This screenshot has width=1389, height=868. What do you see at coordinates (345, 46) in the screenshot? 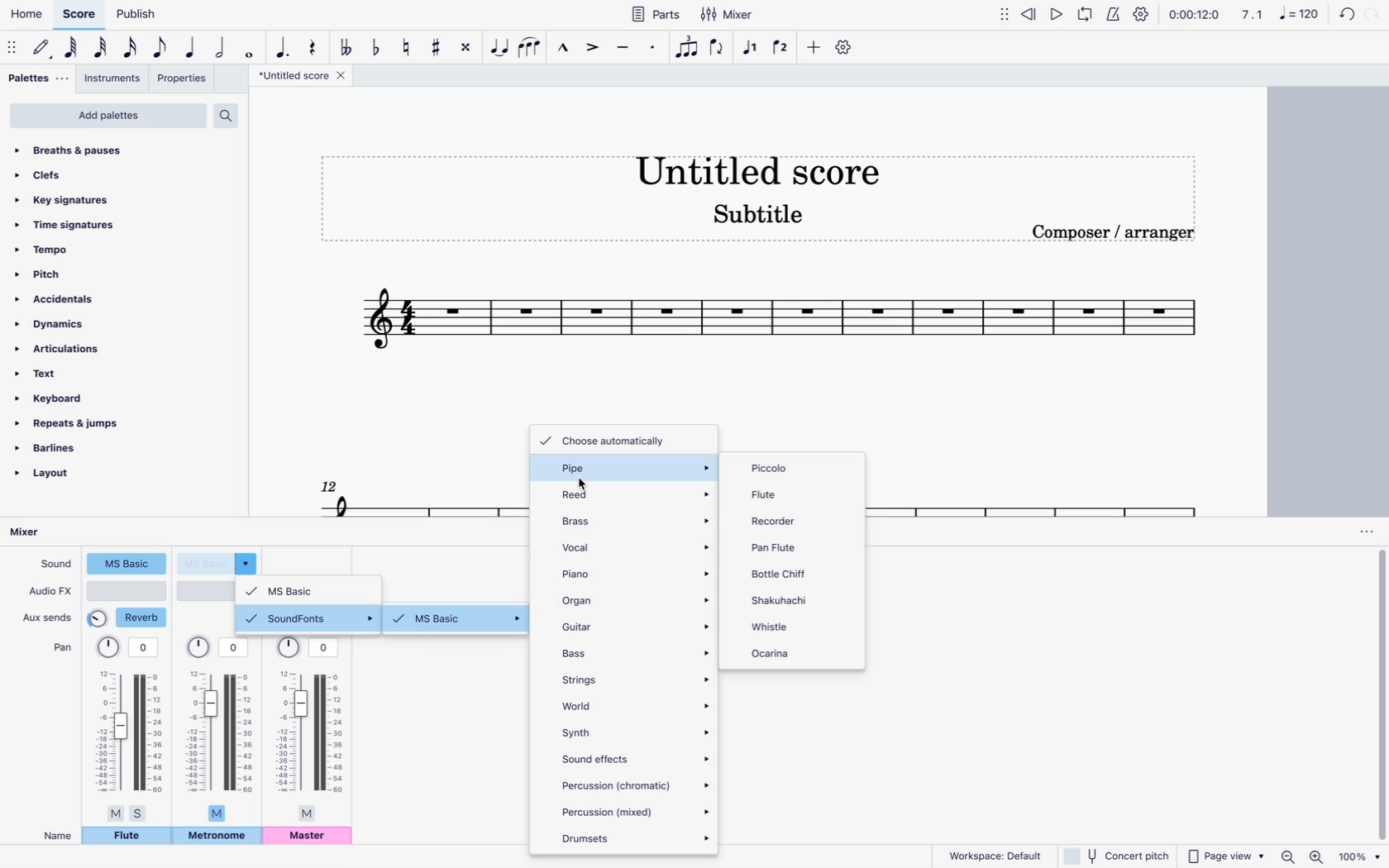
I see `toggle double flat` at bounding box center [345, 46].